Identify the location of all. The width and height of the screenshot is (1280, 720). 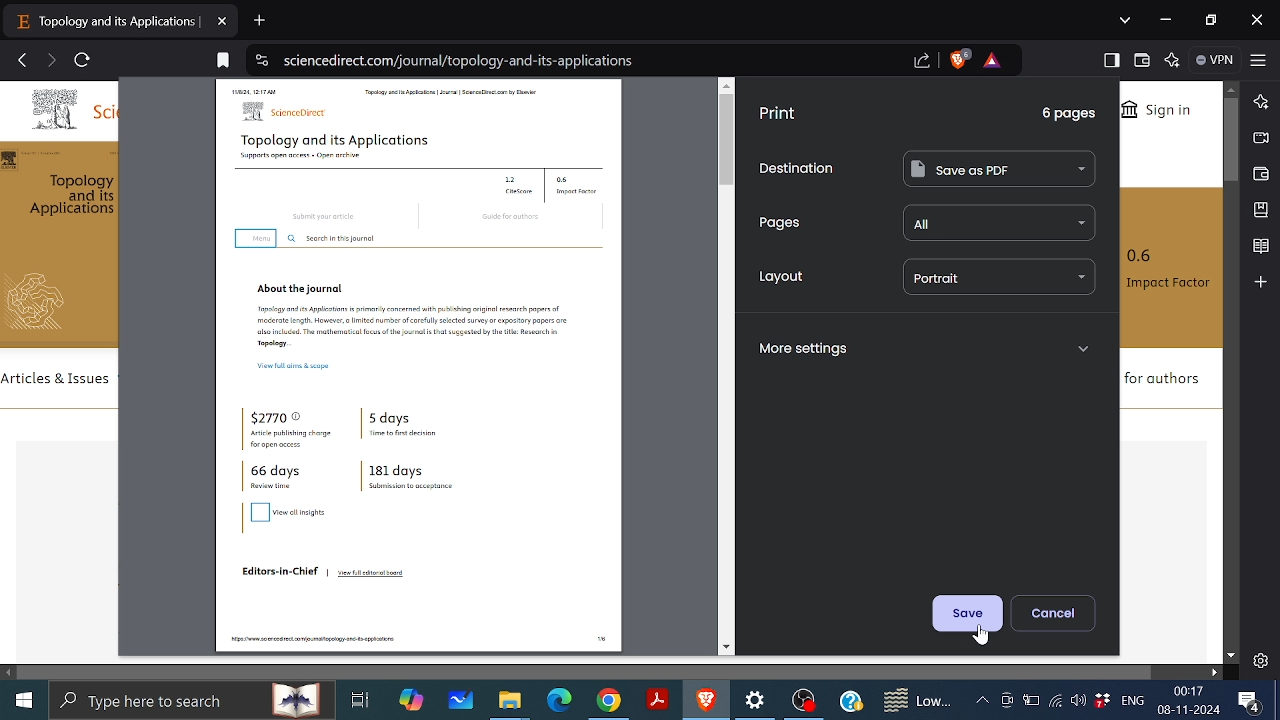
(1001, 222).